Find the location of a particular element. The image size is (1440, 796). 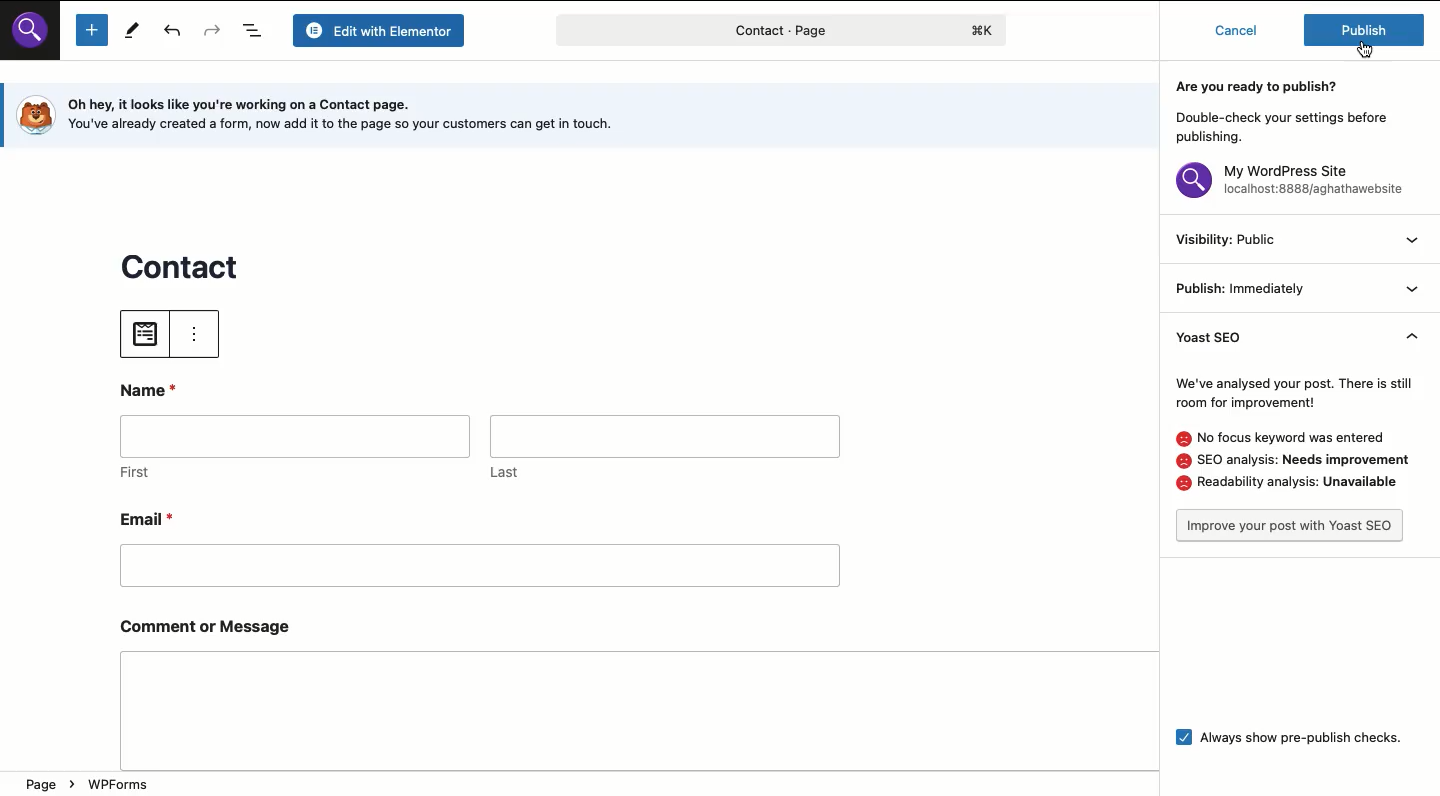

contact - page is located at coordinates (706, 34).